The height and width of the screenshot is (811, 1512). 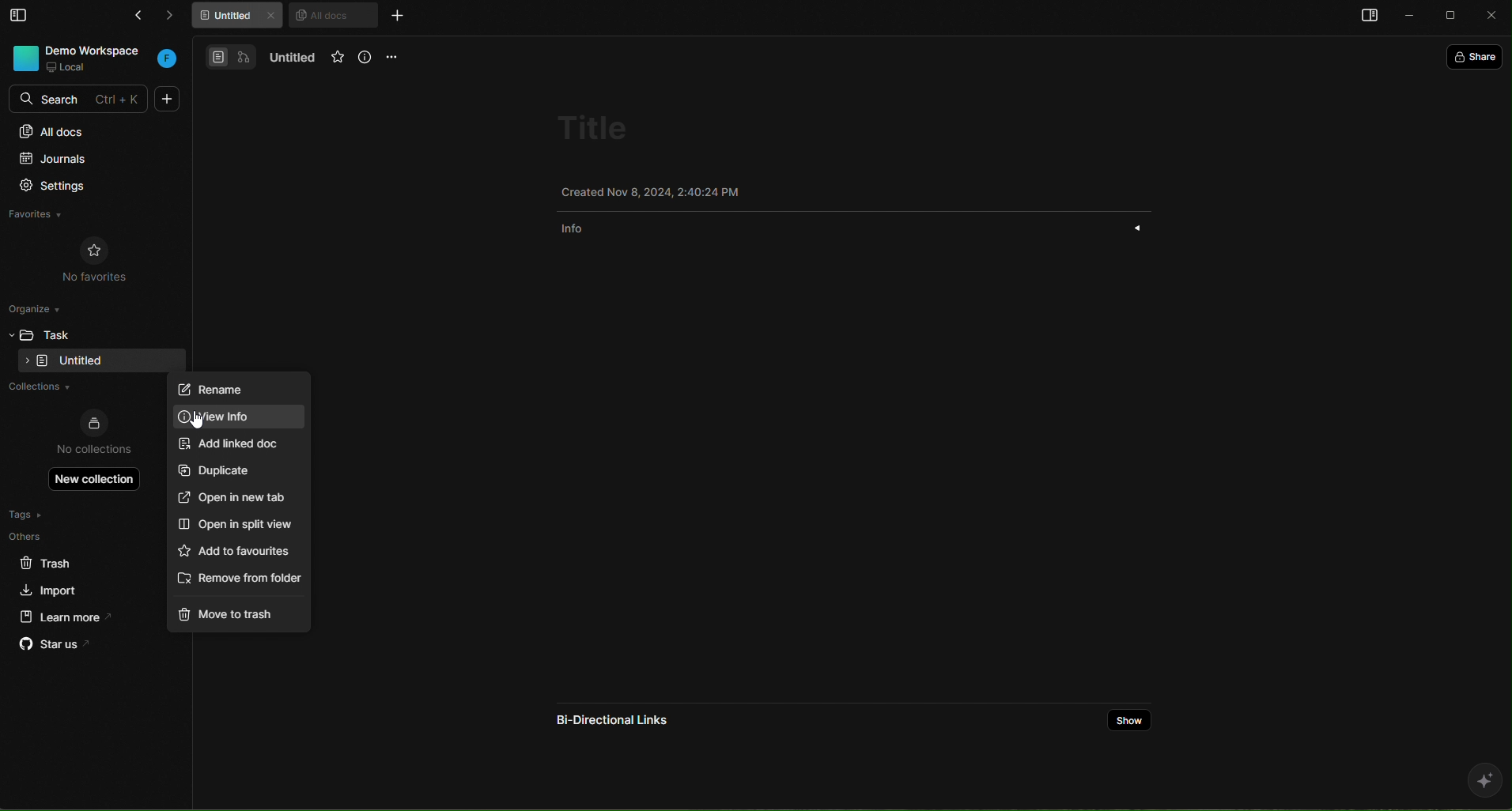 What do you see at coordinates (97, 50) in the screenshot?
I see `DEMO WORKSPACE` at bounding box center [97, 50].